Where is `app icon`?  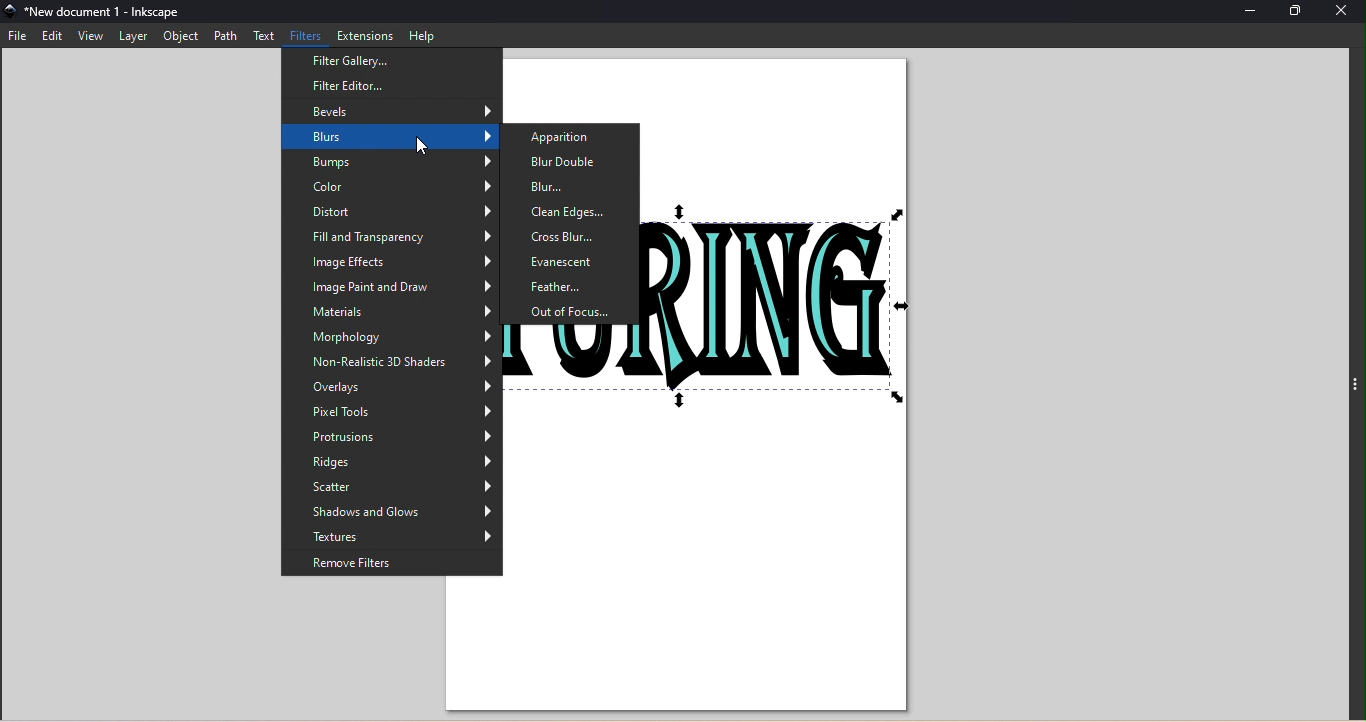 app icon is located at coordinates (11, 13).